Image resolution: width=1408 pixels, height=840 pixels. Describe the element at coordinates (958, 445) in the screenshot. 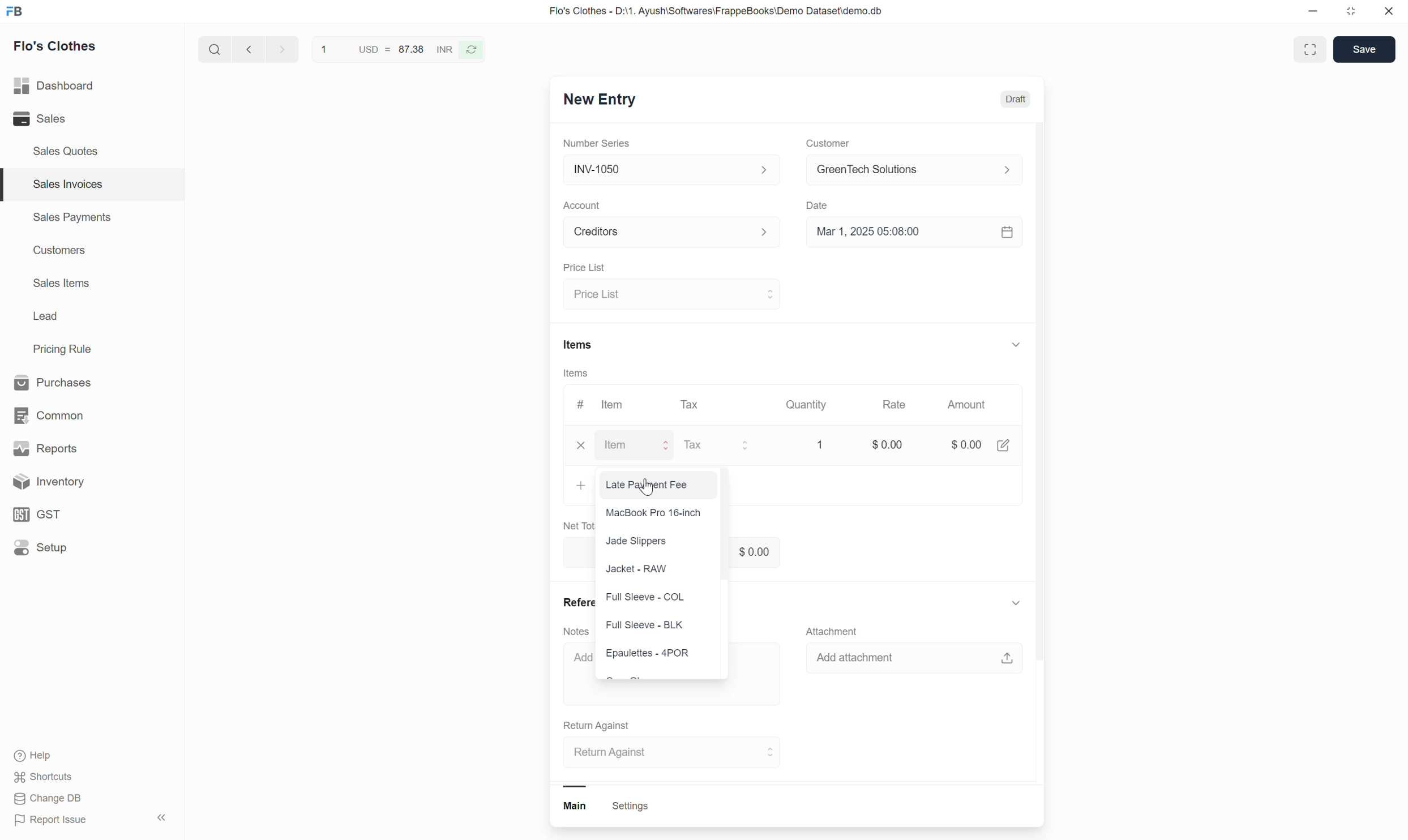

I see `amount ` at that location.